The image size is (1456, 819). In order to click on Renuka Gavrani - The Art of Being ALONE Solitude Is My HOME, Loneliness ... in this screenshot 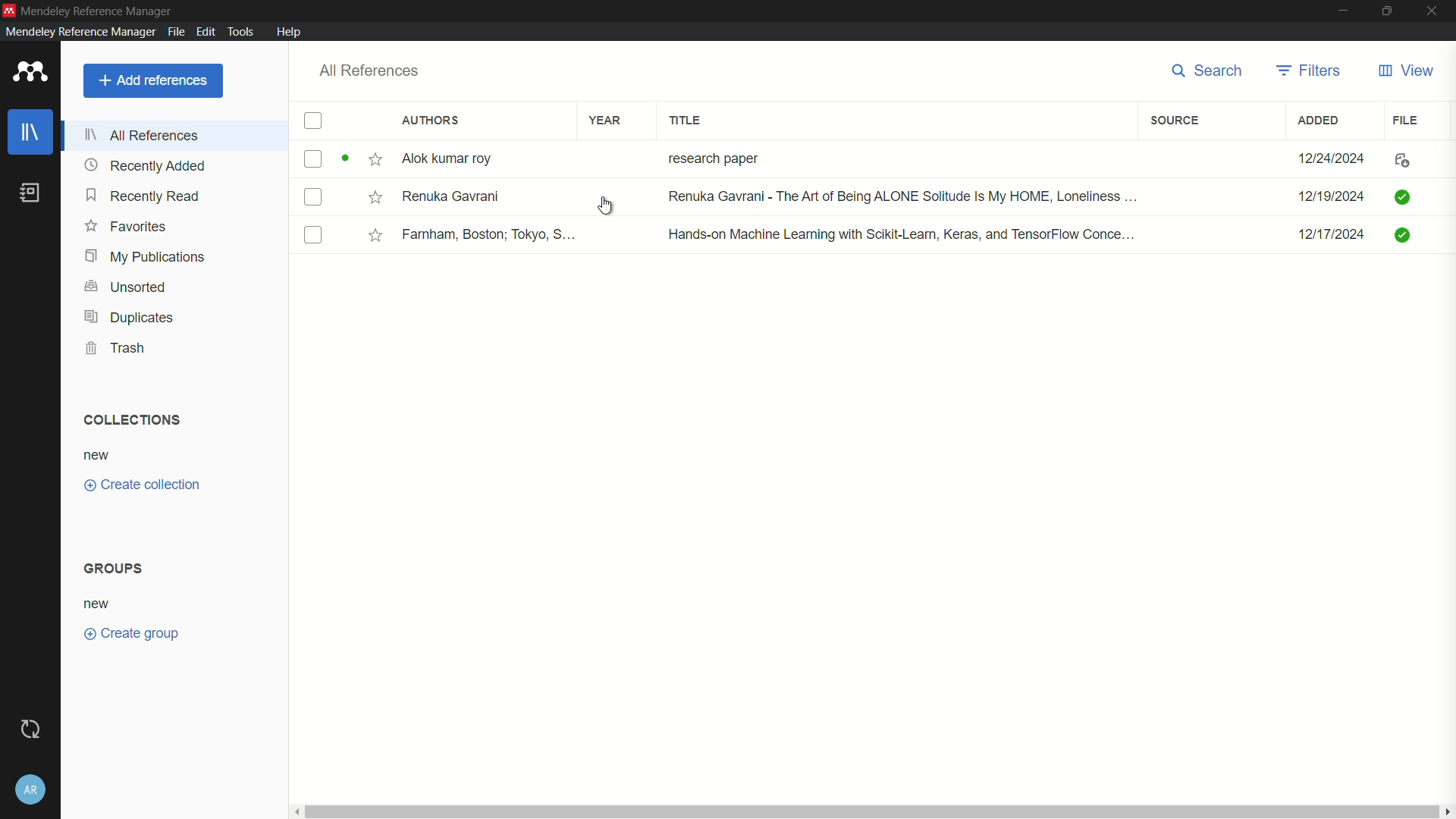, I will do `click(913, 196)`.